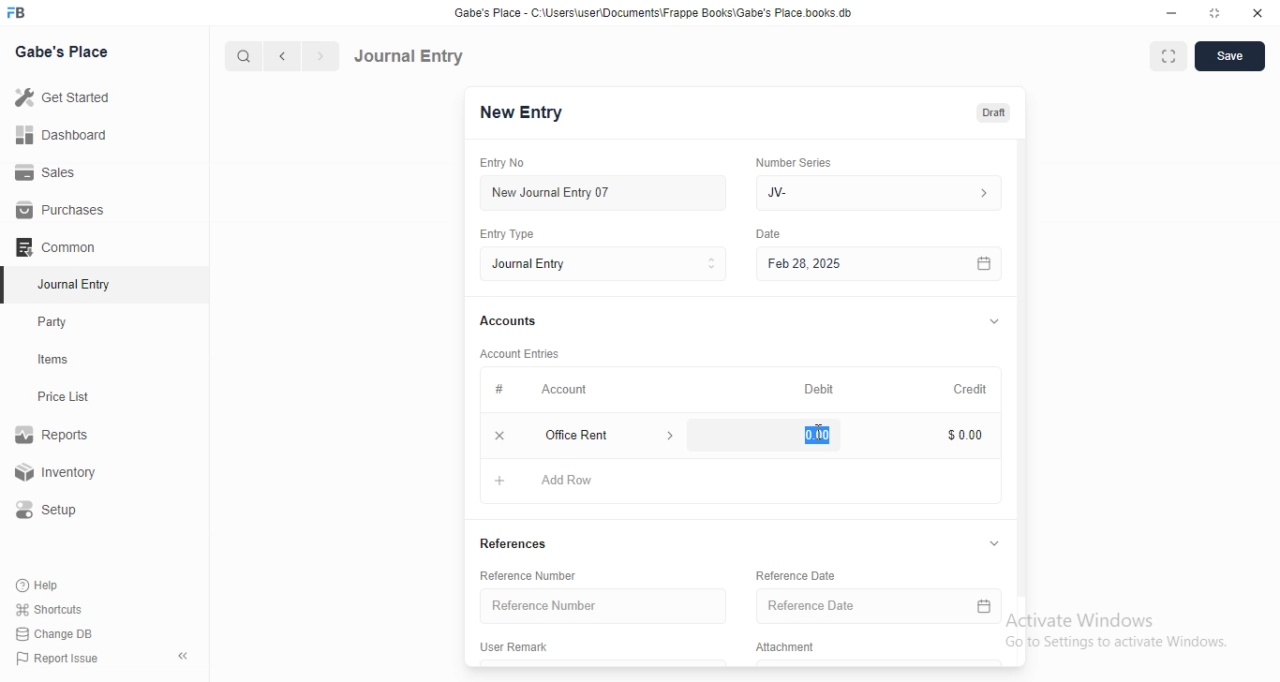 The image size is (1280, 682). Describe the element at coordinates (997, 542) in the screenshot. I see `v` at that location.